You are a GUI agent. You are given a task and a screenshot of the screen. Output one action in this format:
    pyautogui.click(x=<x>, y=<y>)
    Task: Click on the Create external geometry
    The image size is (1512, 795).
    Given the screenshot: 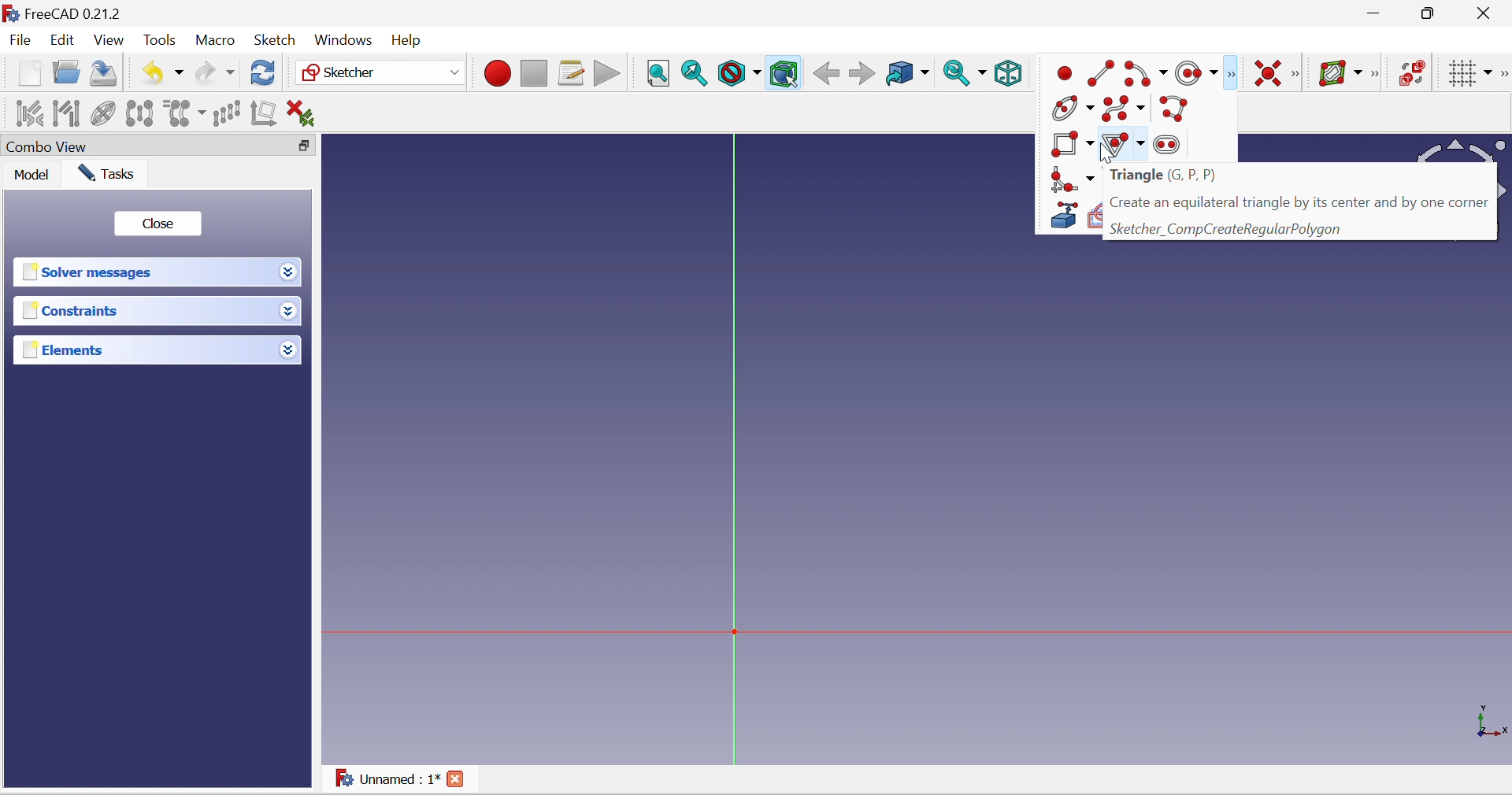 What is the action you would take?
    pyautogui.click(x=1062, y=217)
    